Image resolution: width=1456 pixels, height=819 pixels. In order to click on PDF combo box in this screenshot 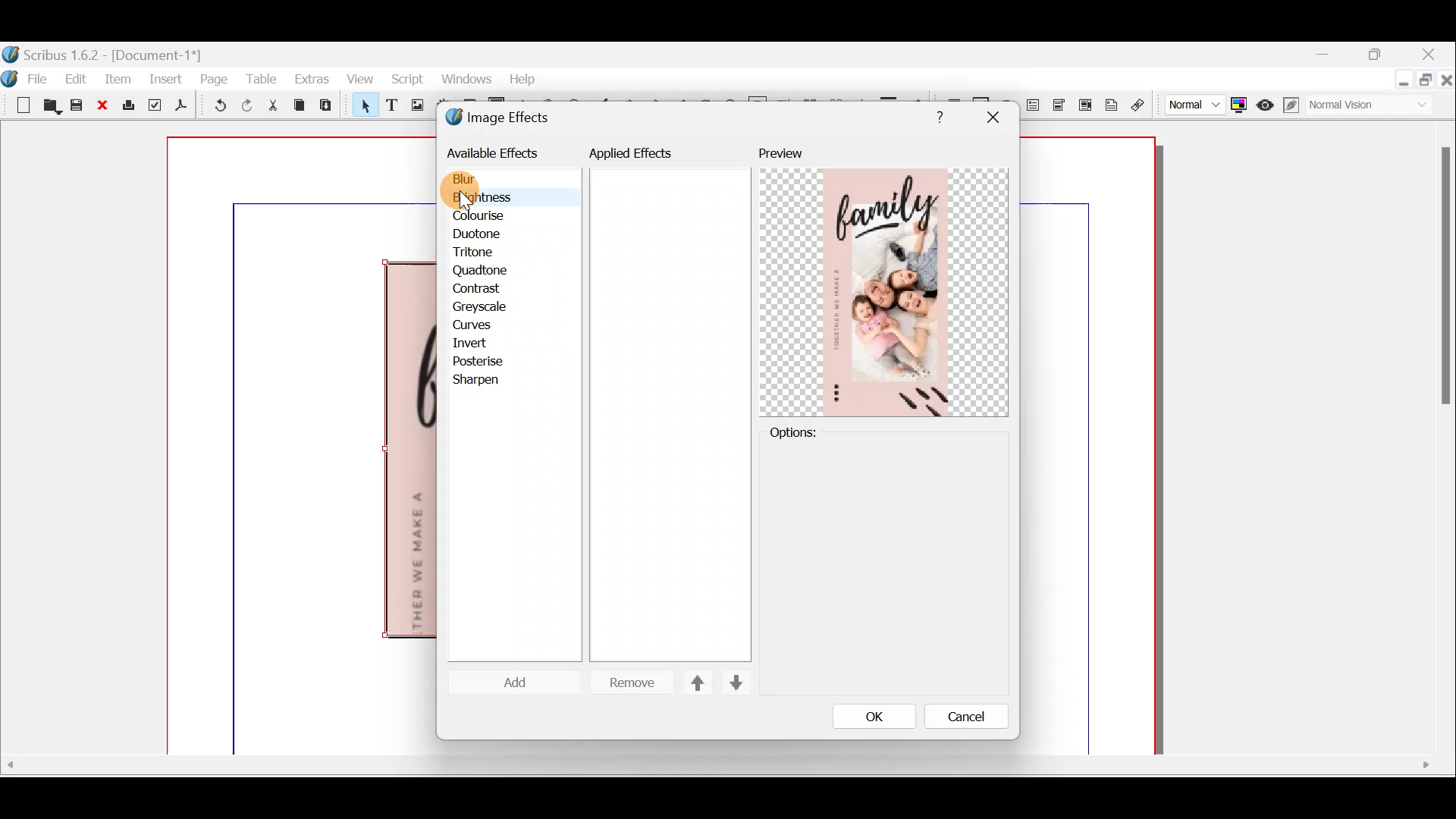, I will do `click(1062, 105)`.